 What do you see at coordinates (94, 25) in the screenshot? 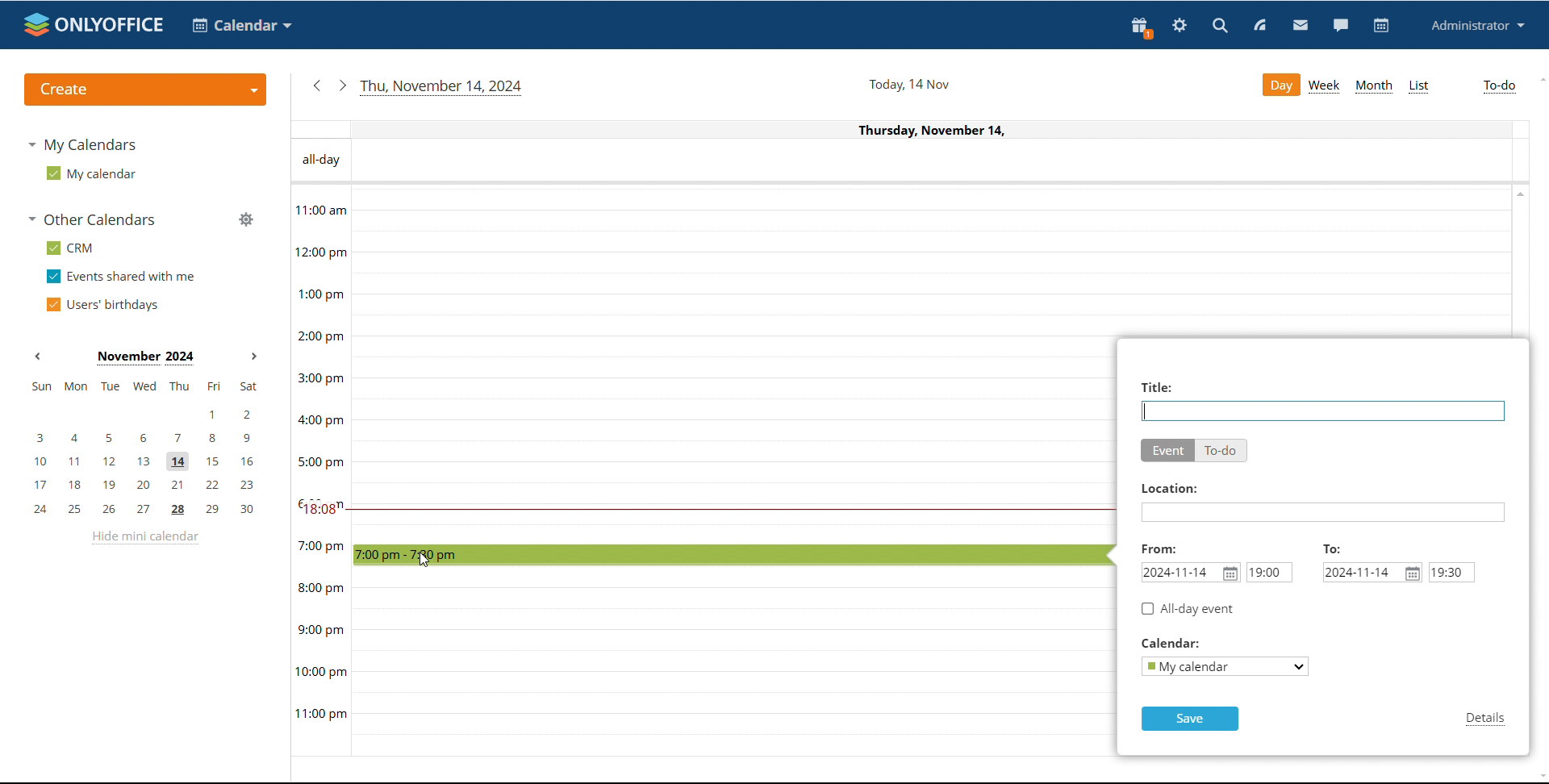
I see `logo` at bounding box center [94, 25].